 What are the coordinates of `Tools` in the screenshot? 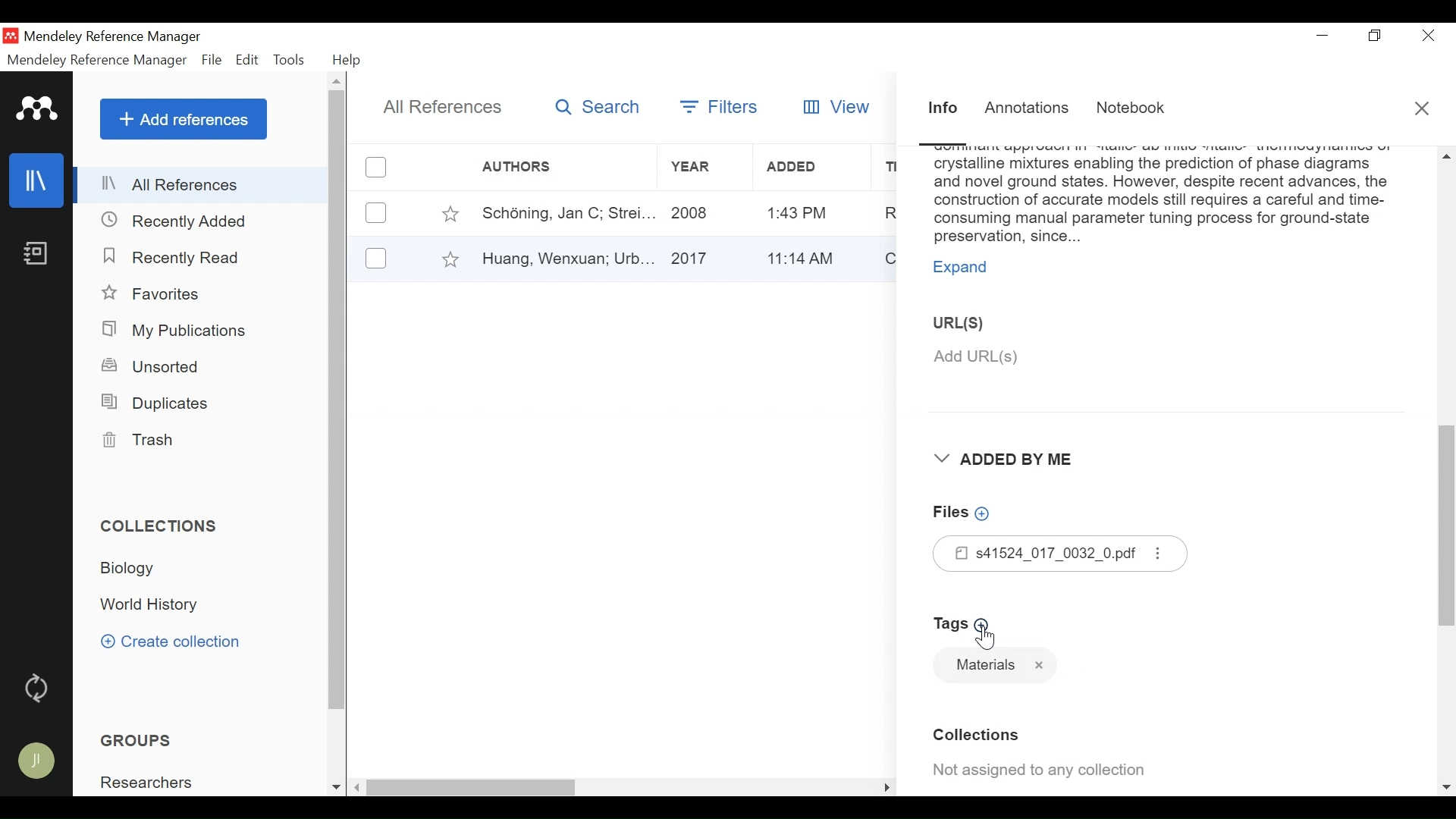 It's located at (289, 60).